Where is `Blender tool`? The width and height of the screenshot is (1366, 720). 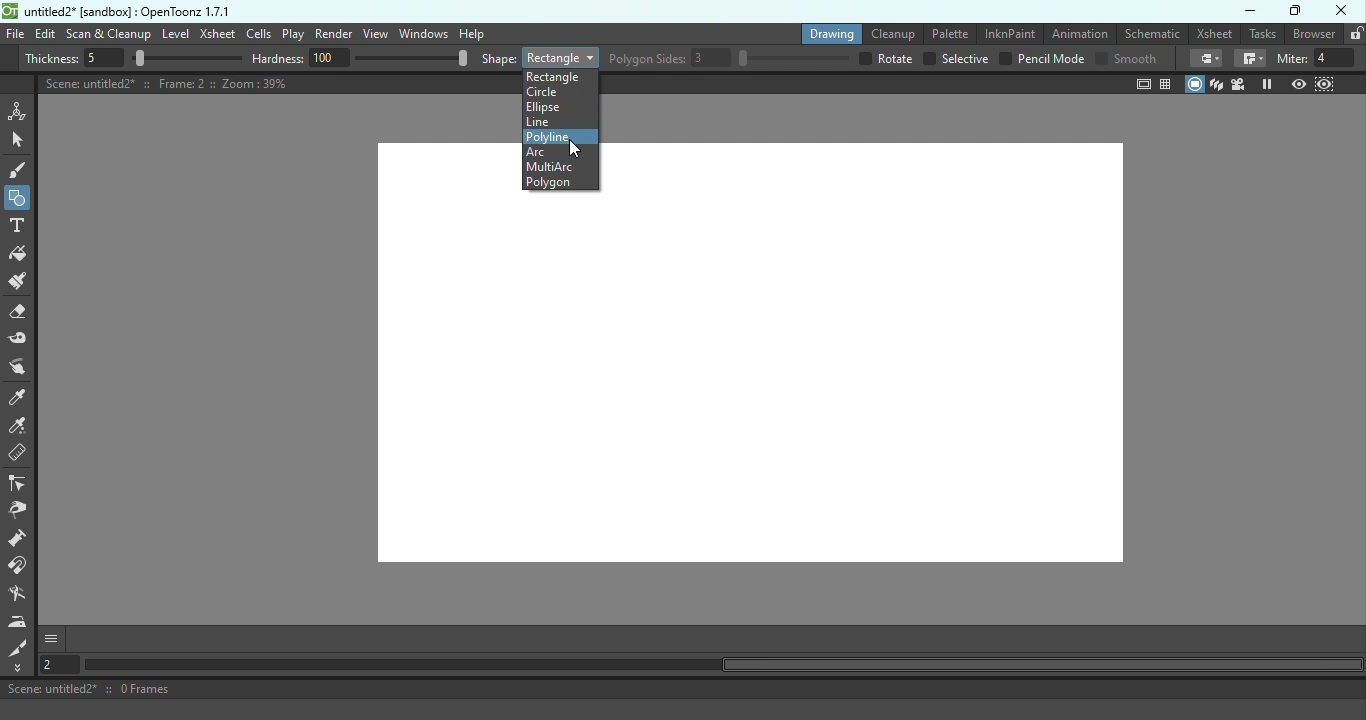 Blender tool is located at coordinates (21, 596).